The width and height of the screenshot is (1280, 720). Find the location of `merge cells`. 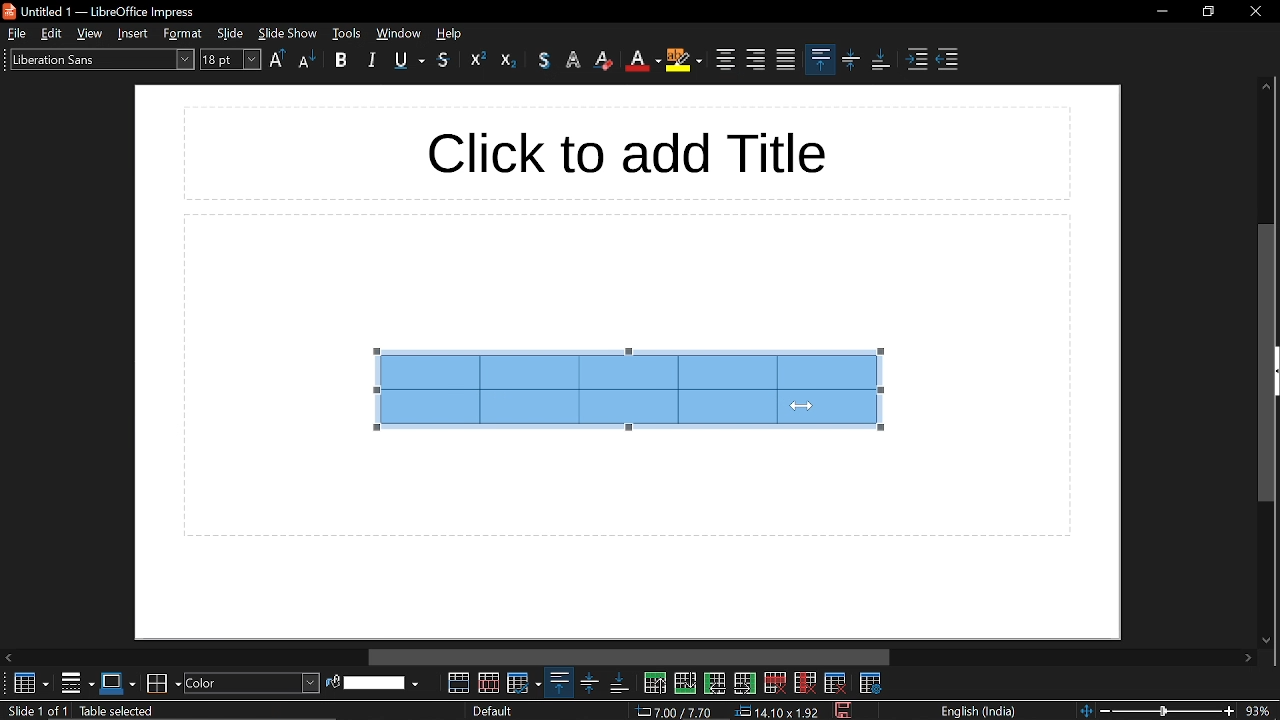

merge cells is located at coordinates (460, 683).